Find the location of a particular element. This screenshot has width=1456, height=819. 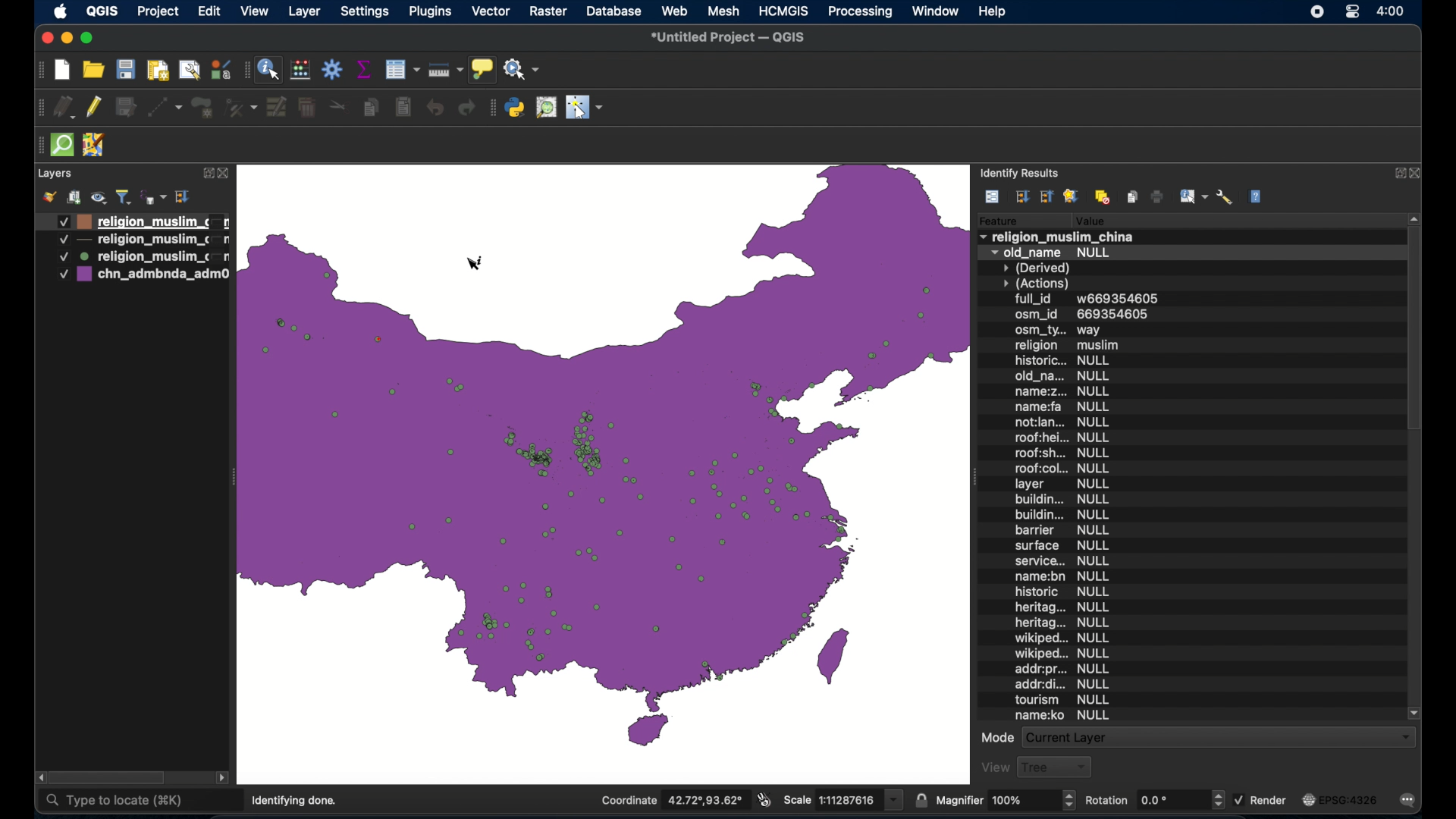

redo is located at coordinates (466, 108).